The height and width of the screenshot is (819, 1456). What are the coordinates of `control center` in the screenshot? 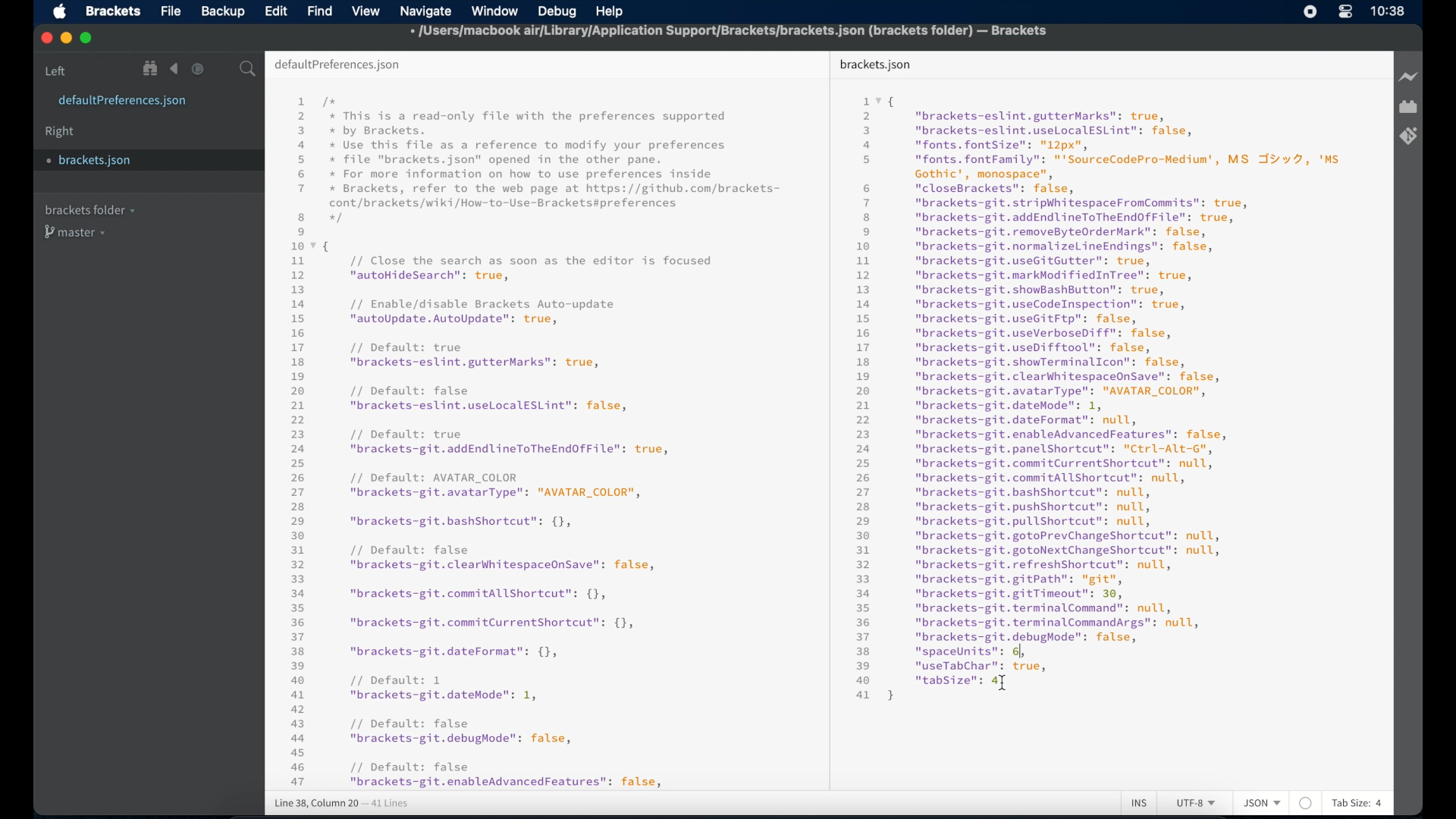 It's located at (1345, 11).